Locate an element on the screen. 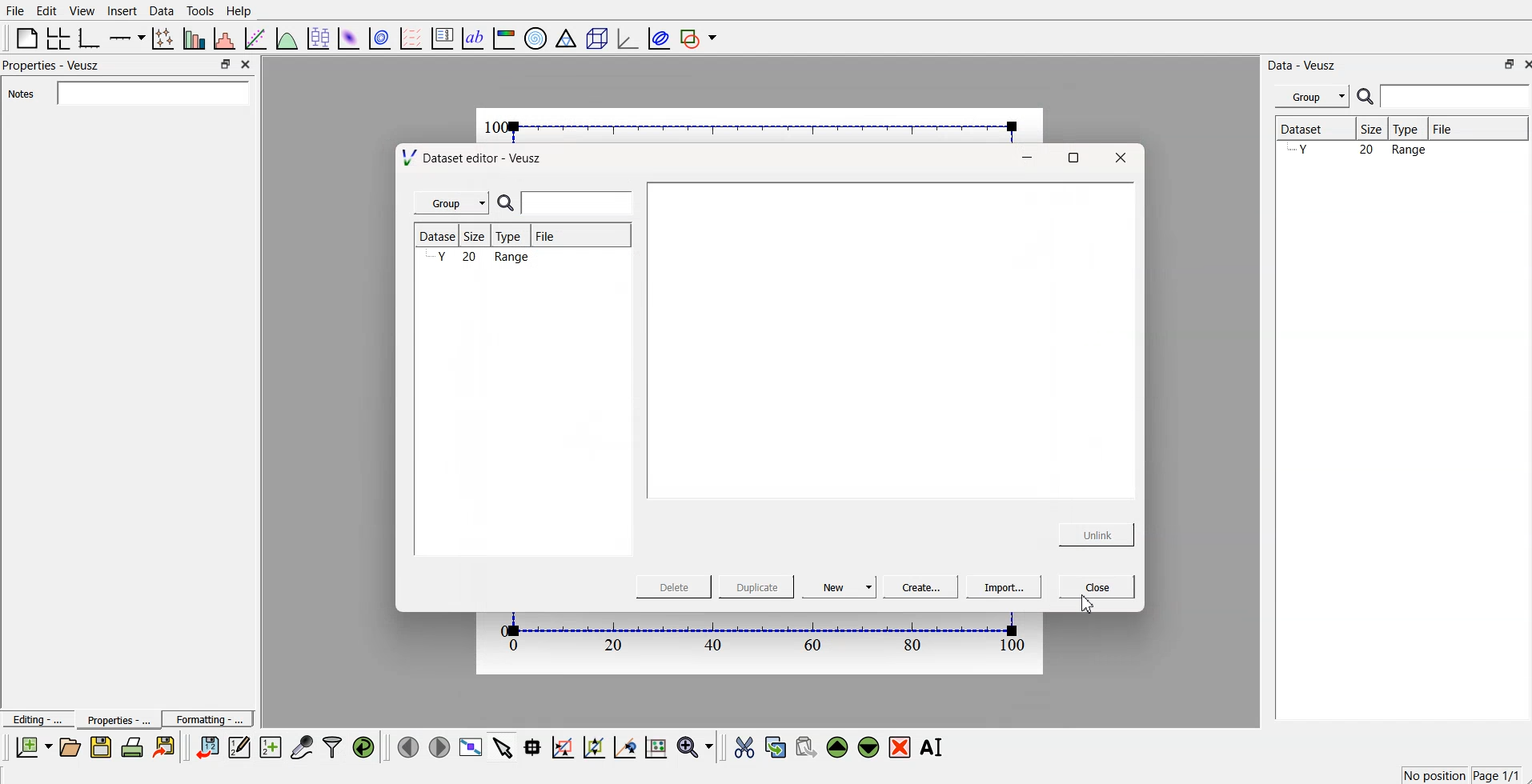  base graph is located at coordinates (90, 37).